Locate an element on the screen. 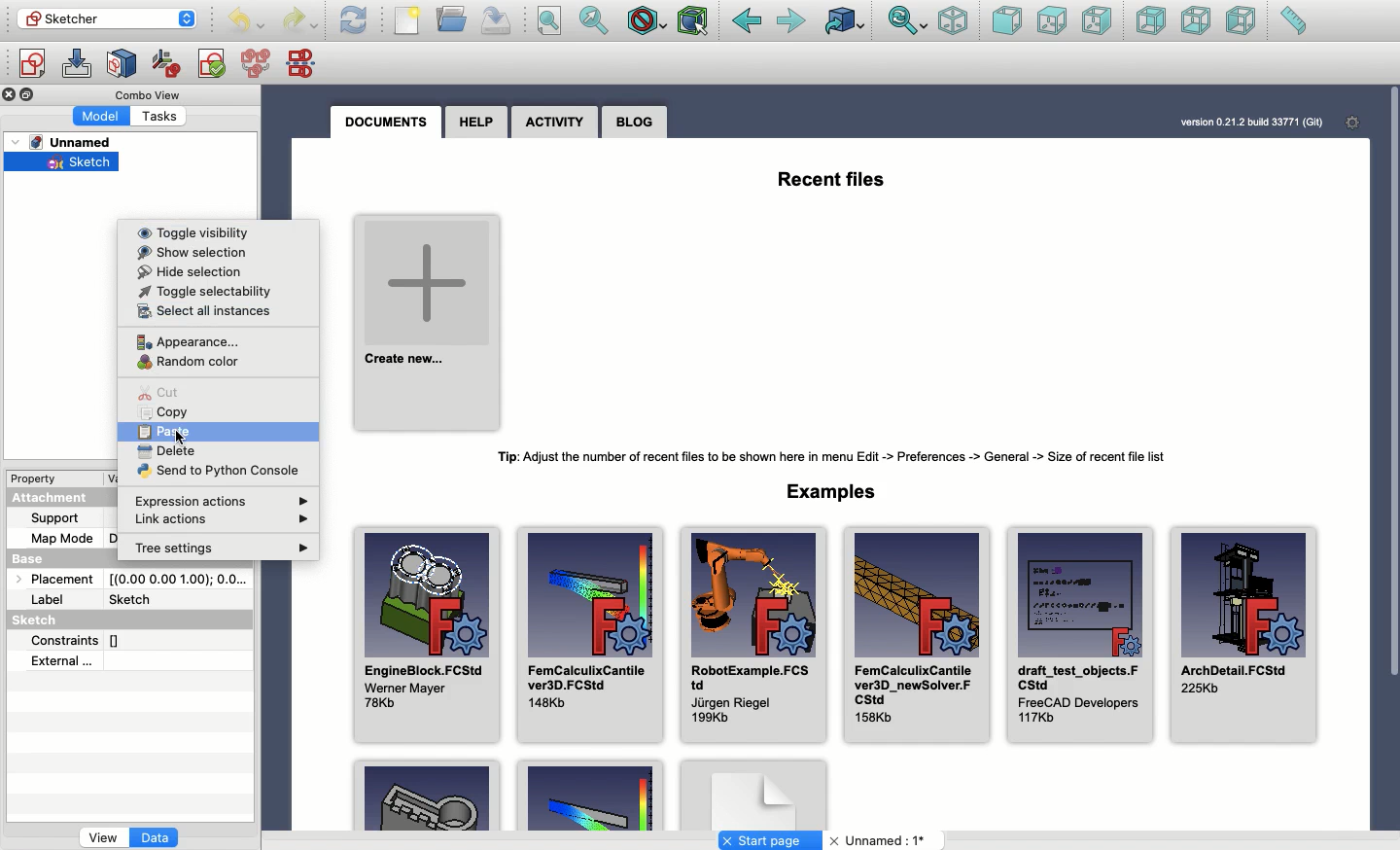 This screenshot has width=1400, height=850. Version is located at coordinates (1238, 123).